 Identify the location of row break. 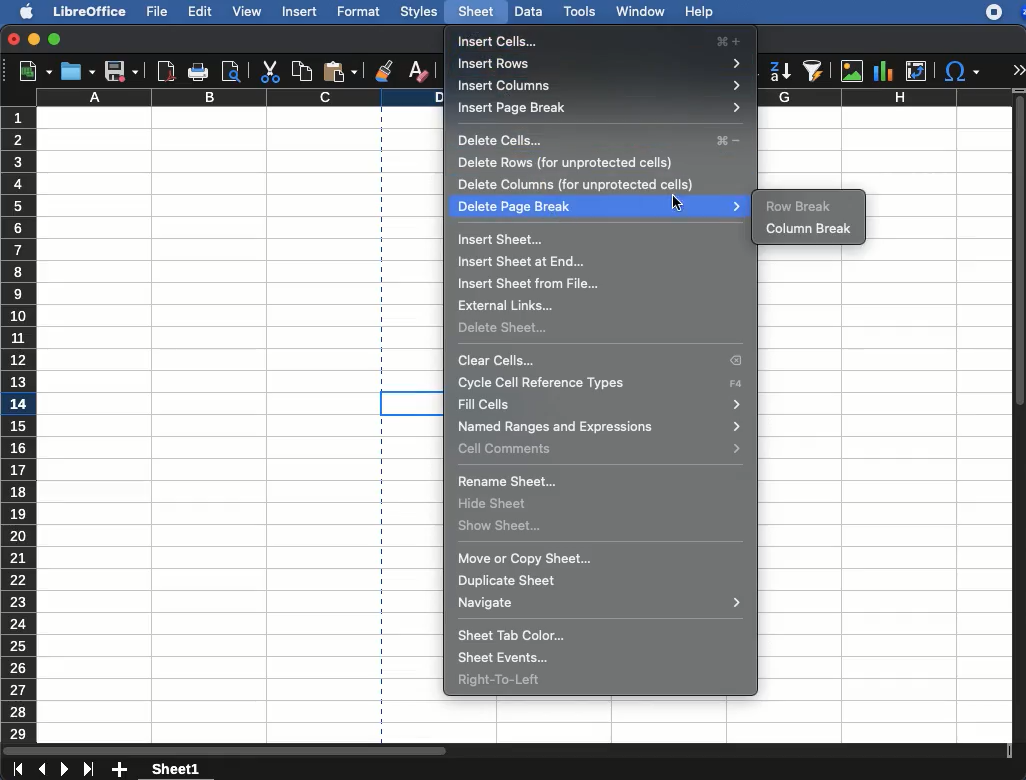
(803, 206).